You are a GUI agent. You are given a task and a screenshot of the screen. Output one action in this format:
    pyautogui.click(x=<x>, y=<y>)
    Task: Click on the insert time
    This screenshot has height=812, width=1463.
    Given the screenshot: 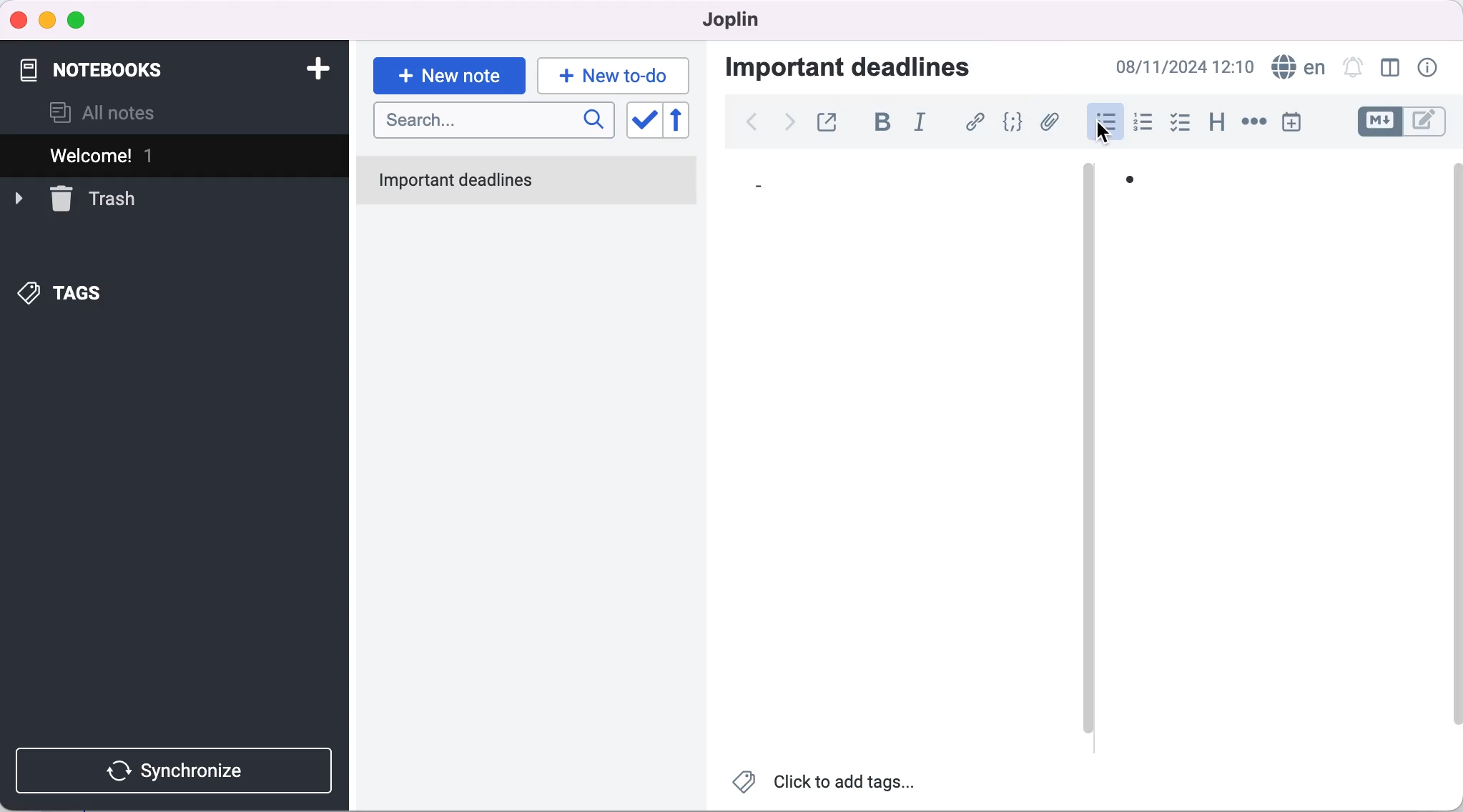 What is the action you would take?
    pyautogui.click(x=1300, y=122)
    